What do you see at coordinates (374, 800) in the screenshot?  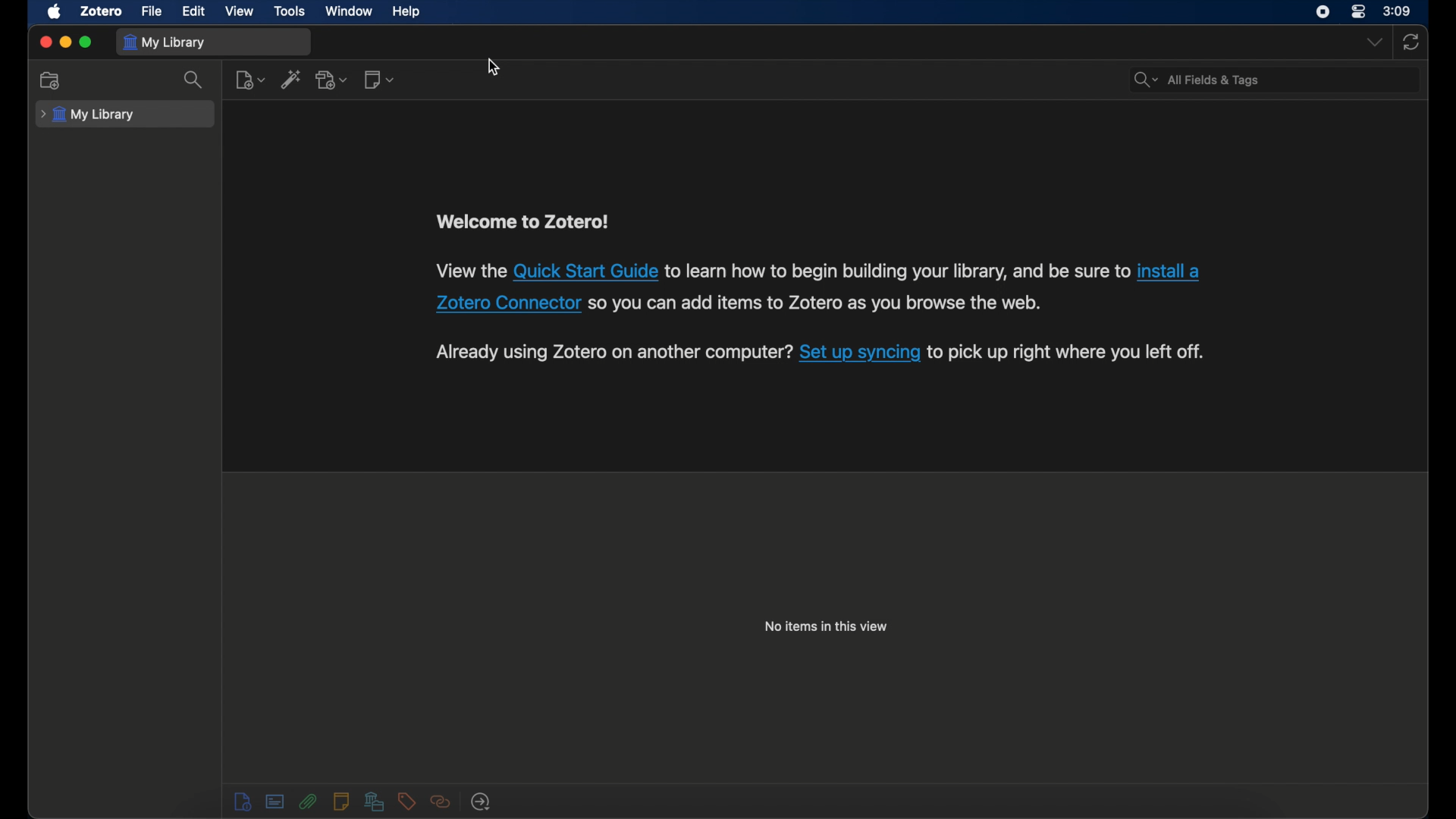 I see `libraries` at bounding box center [374, 800].